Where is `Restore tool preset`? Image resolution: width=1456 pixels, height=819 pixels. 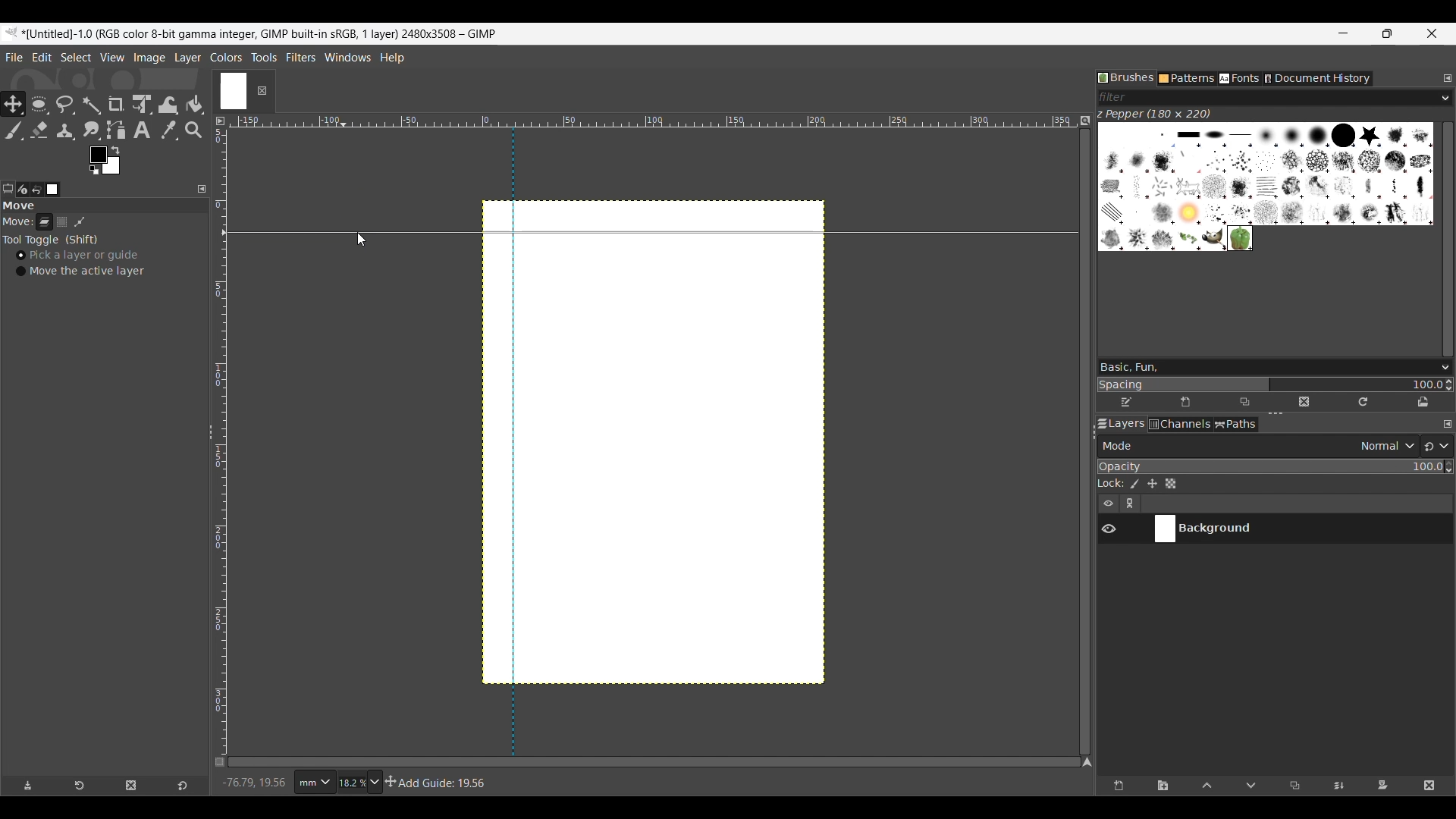 Restore tool preset is located at coordinates (80, 786).